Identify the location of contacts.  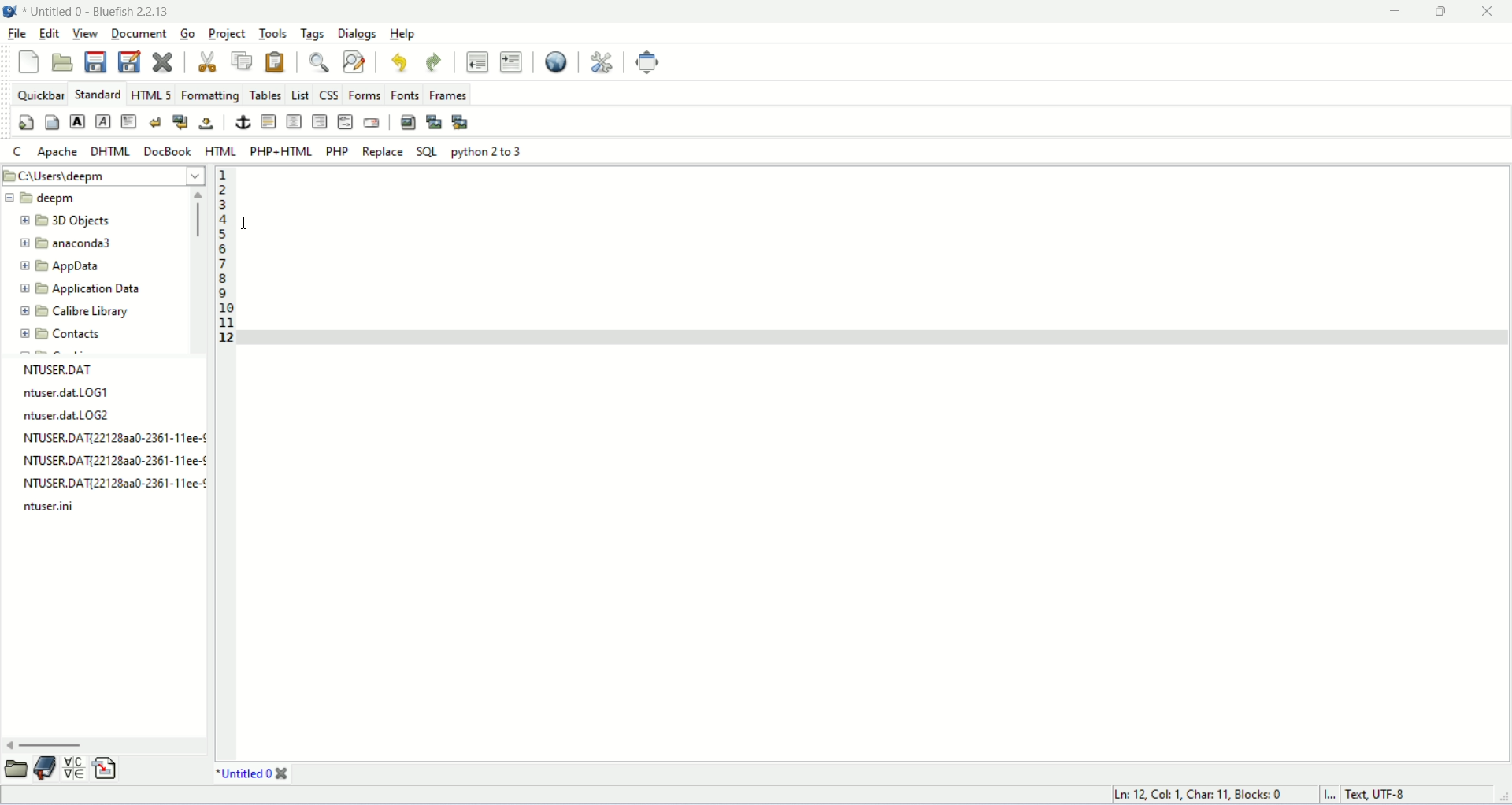
(95, 337).